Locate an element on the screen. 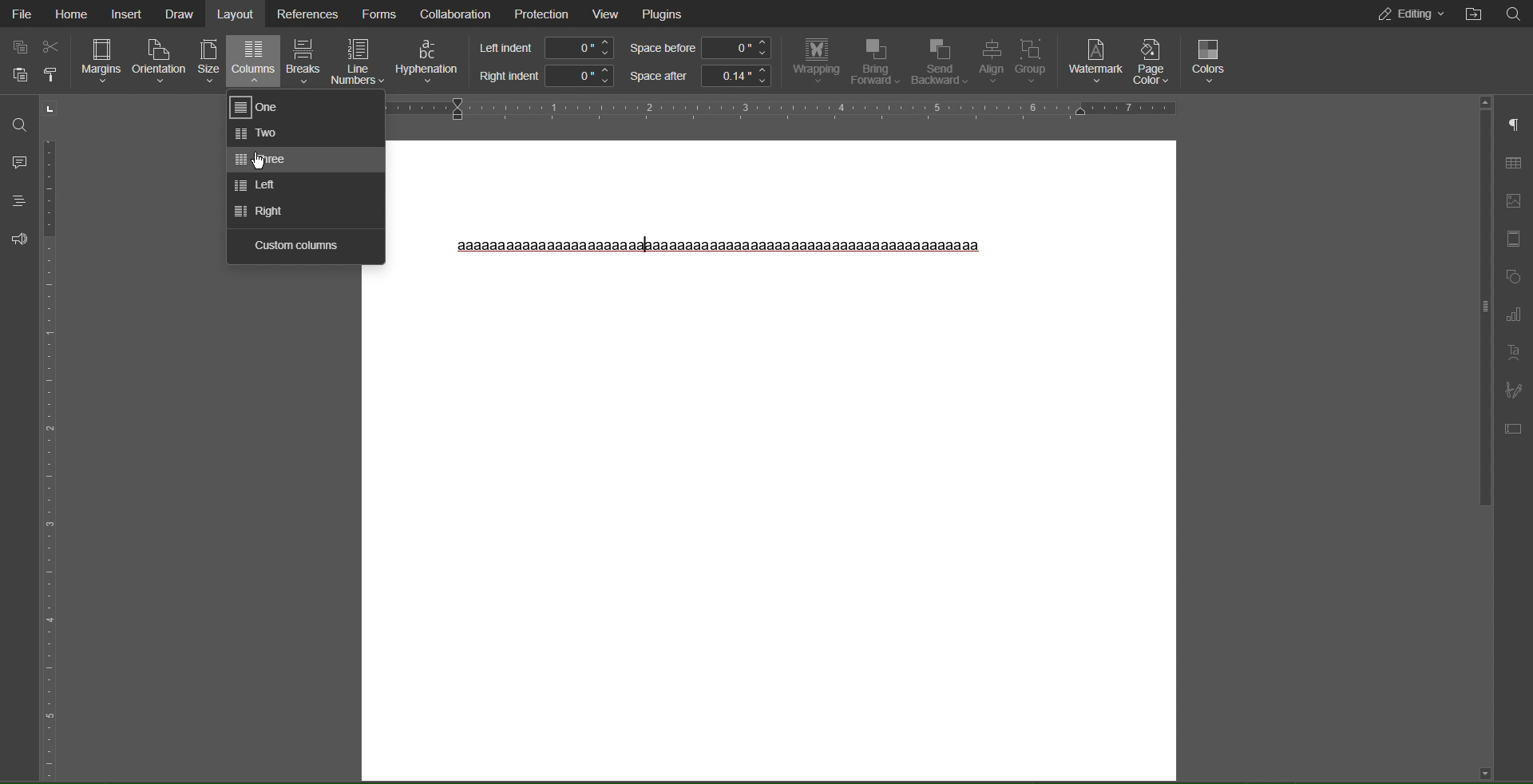 The height and width of the screenshot is (784, 1533). aaaaaaaaaaaaaaaaaaaaaaapaaaaaaaaaaaaaaaaaaaaaaaaaaaaaaaaaaaaaaaa is located at coordinates (719, 246).